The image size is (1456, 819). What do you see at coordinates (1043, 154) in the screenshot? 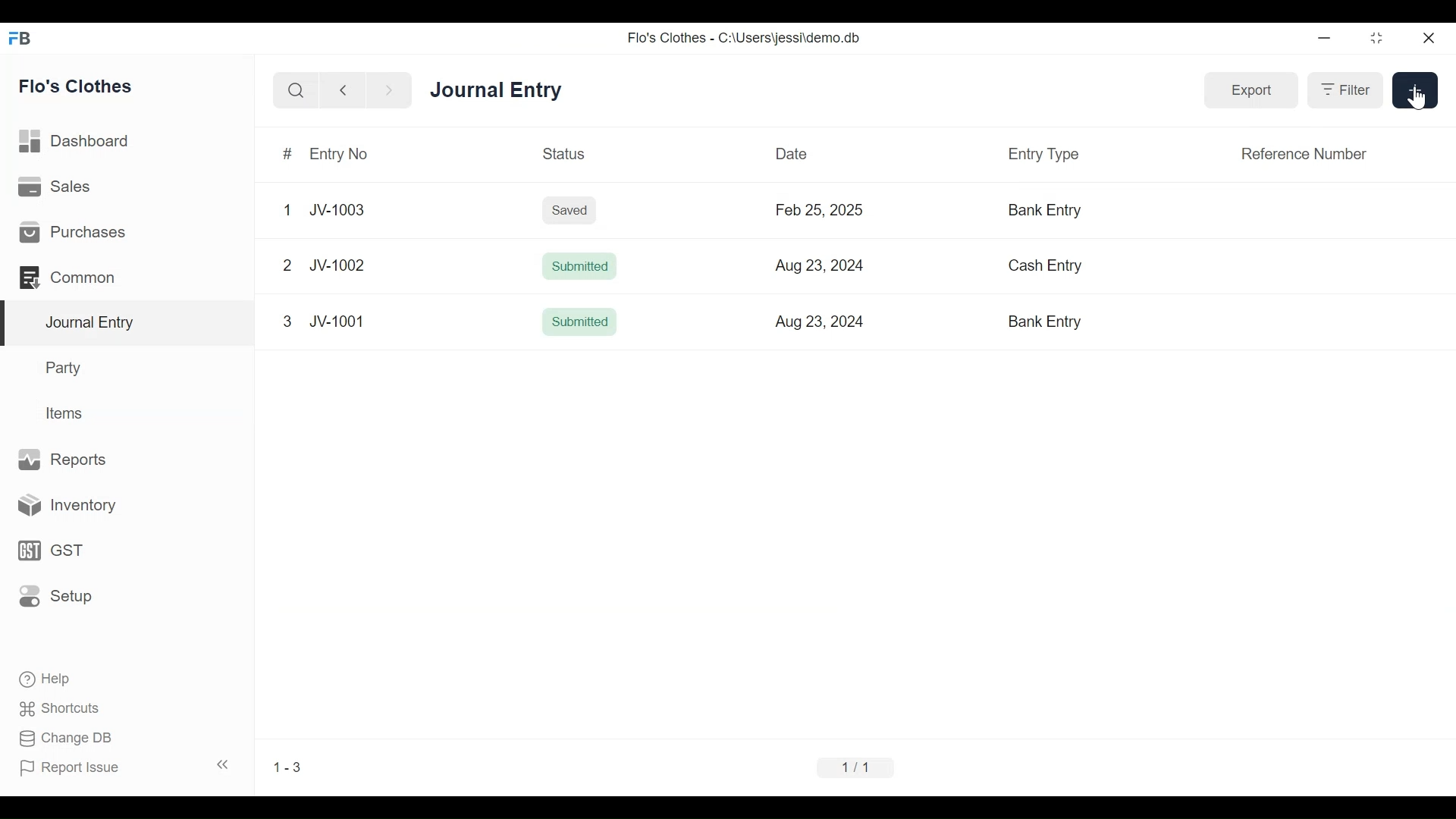
I see `Entry Type` at bounding box center [1043, 154].